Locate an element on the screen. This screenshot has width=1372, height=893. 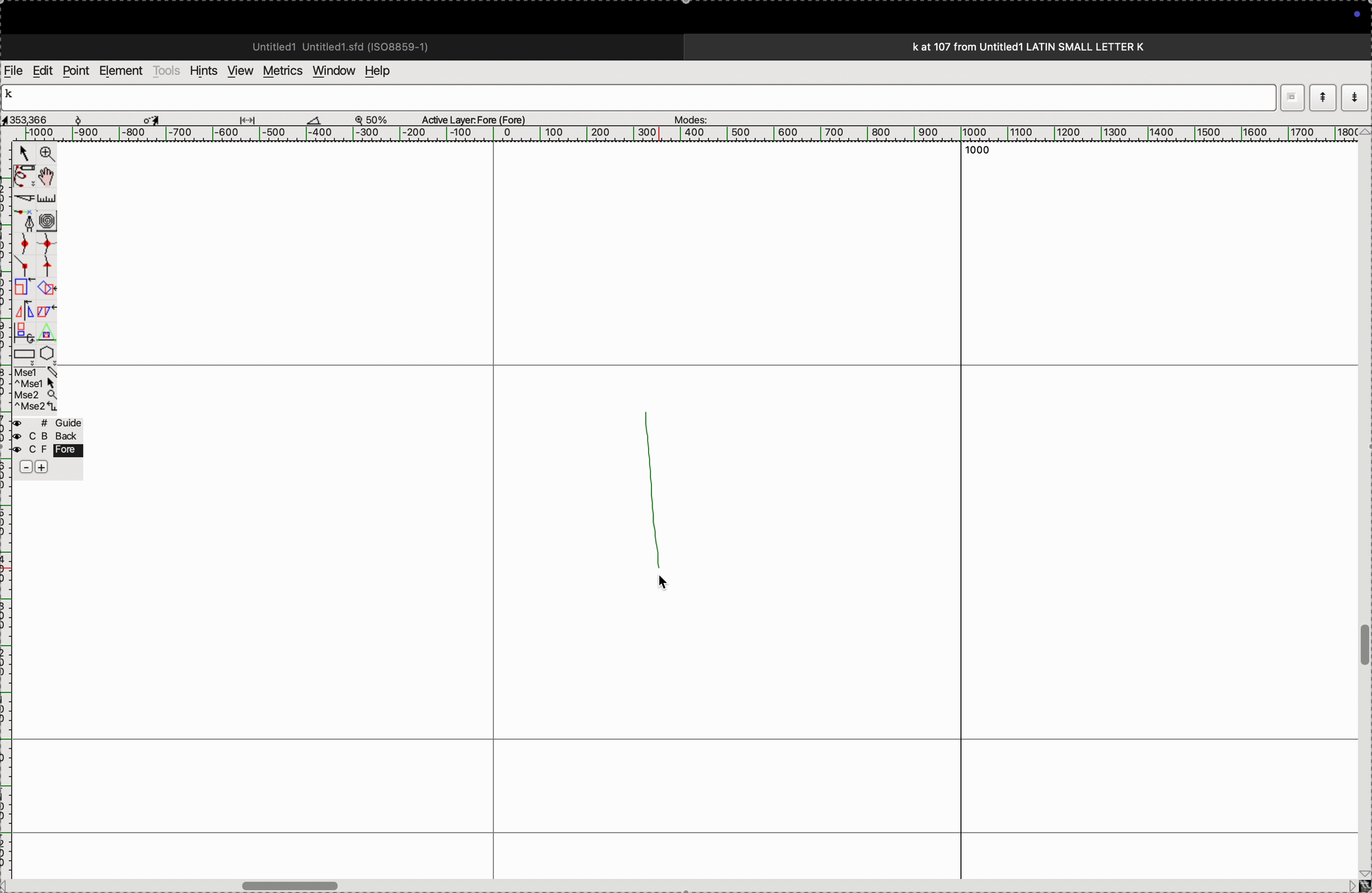
rectangle is located at coordinates (21, 352).